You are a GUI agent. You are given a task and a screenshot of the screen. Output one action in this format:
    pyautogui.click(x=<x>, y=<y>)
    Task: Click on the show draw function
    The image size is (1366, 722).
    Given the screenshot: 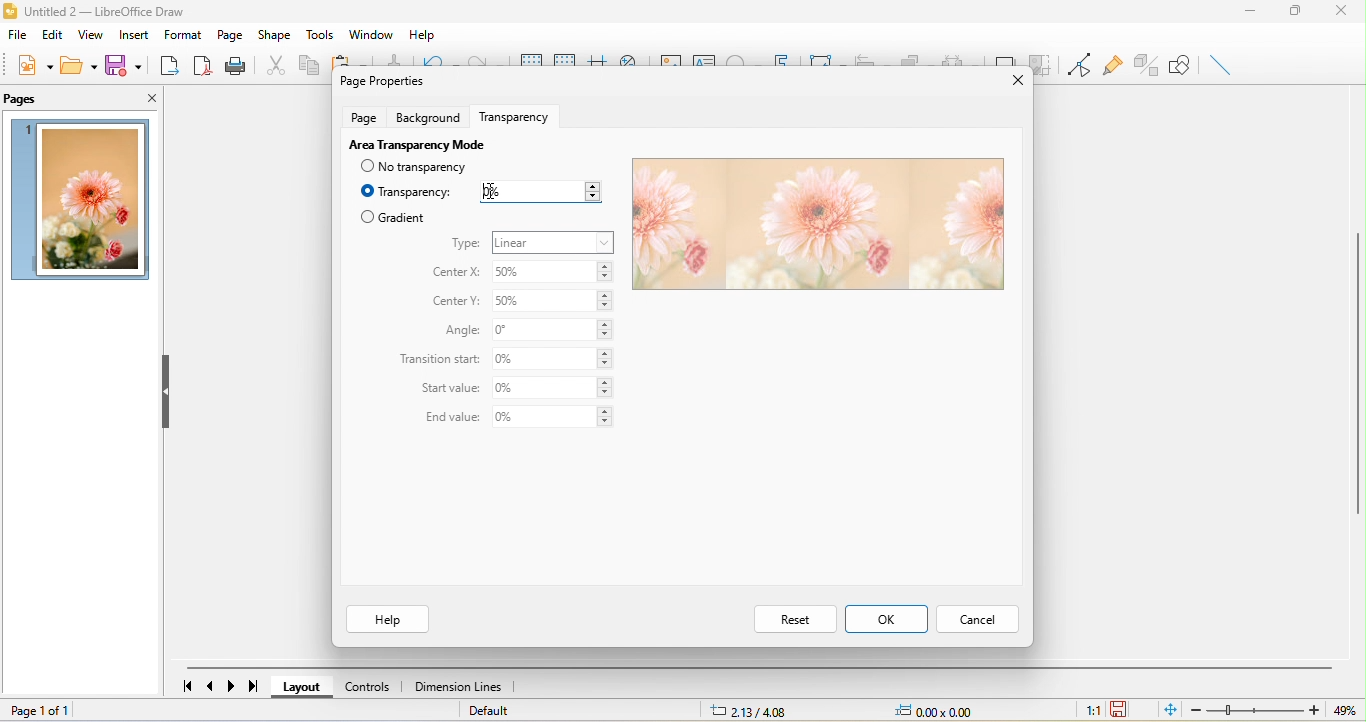 What is the action you would take?
    pyautogui.click(x=1181, y=65)
    